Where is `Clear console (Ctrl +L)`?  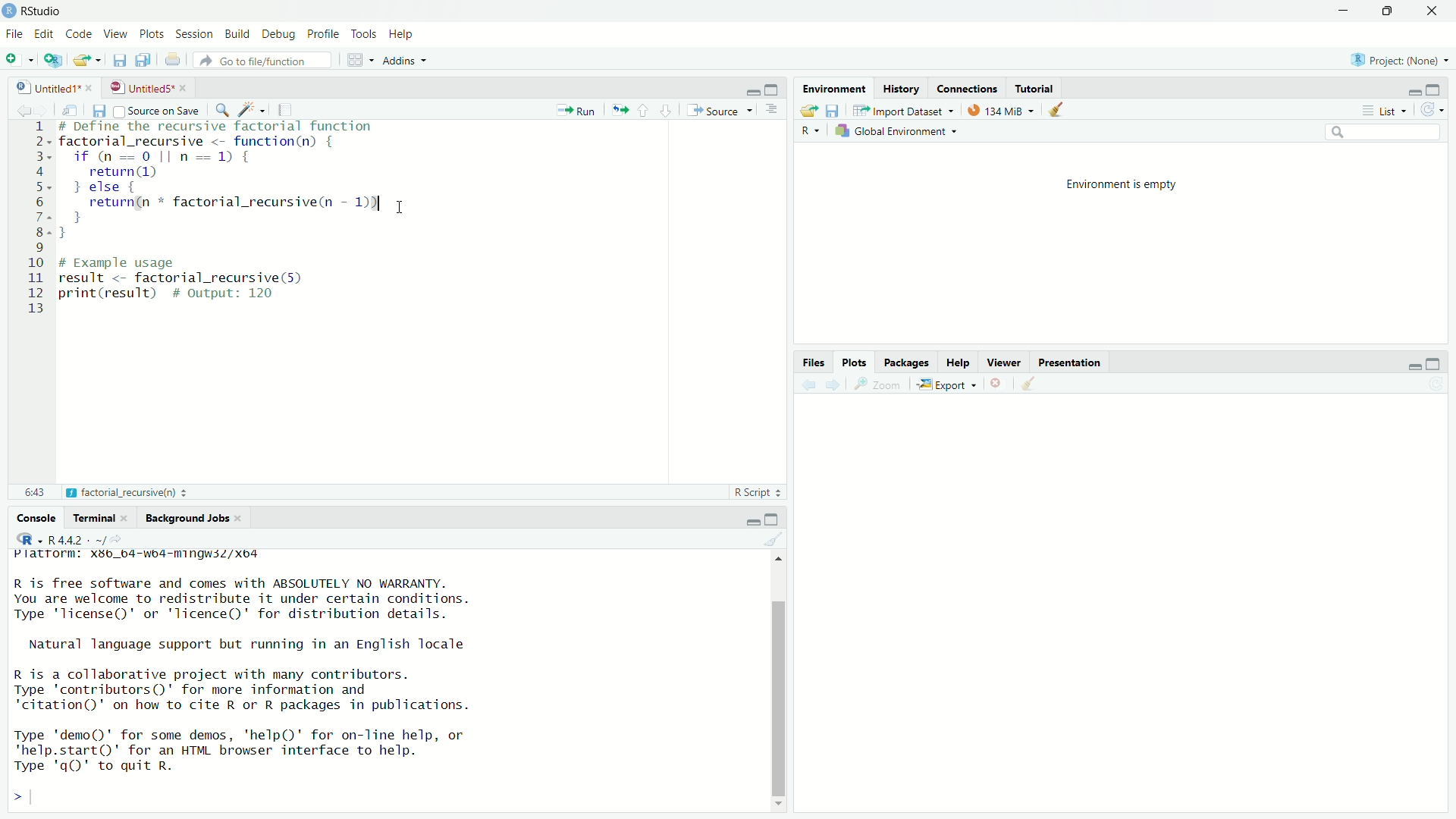 Clear console (Ctrl +L) is located at coordinates (780, 540).